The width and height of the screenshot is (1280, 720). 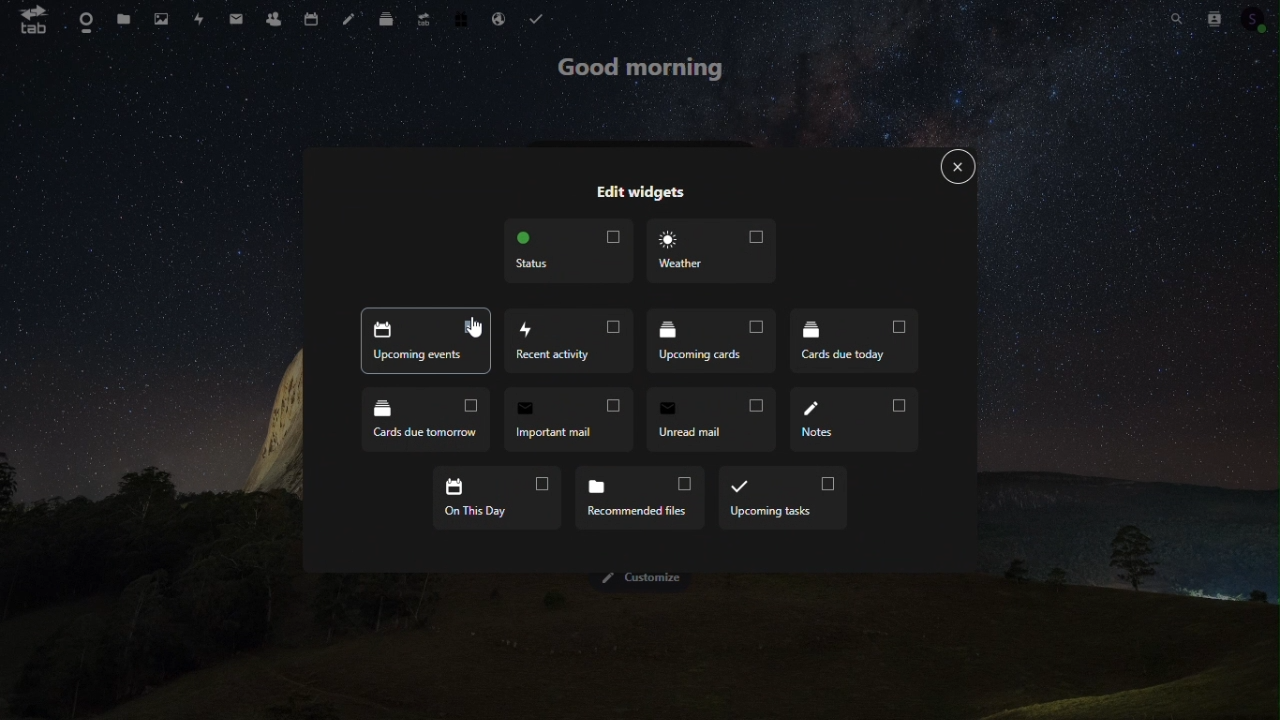 What do you see at coordinates (474, 325) in the screenshot?
I see `cursor` at bounding box center [474, 325].